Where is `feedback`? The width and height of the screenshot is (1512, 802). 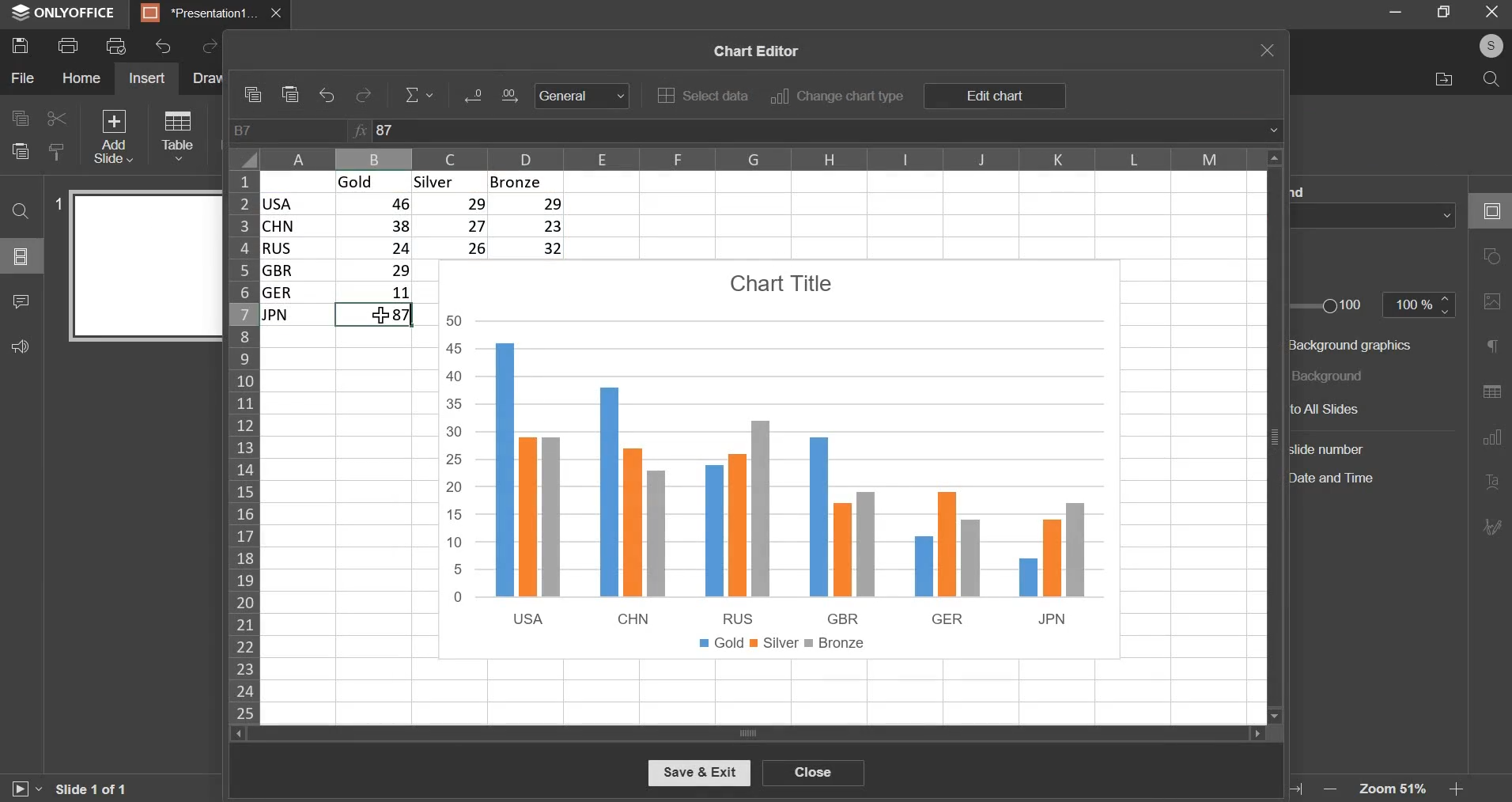 feedback is located at coordinates (21, 345).